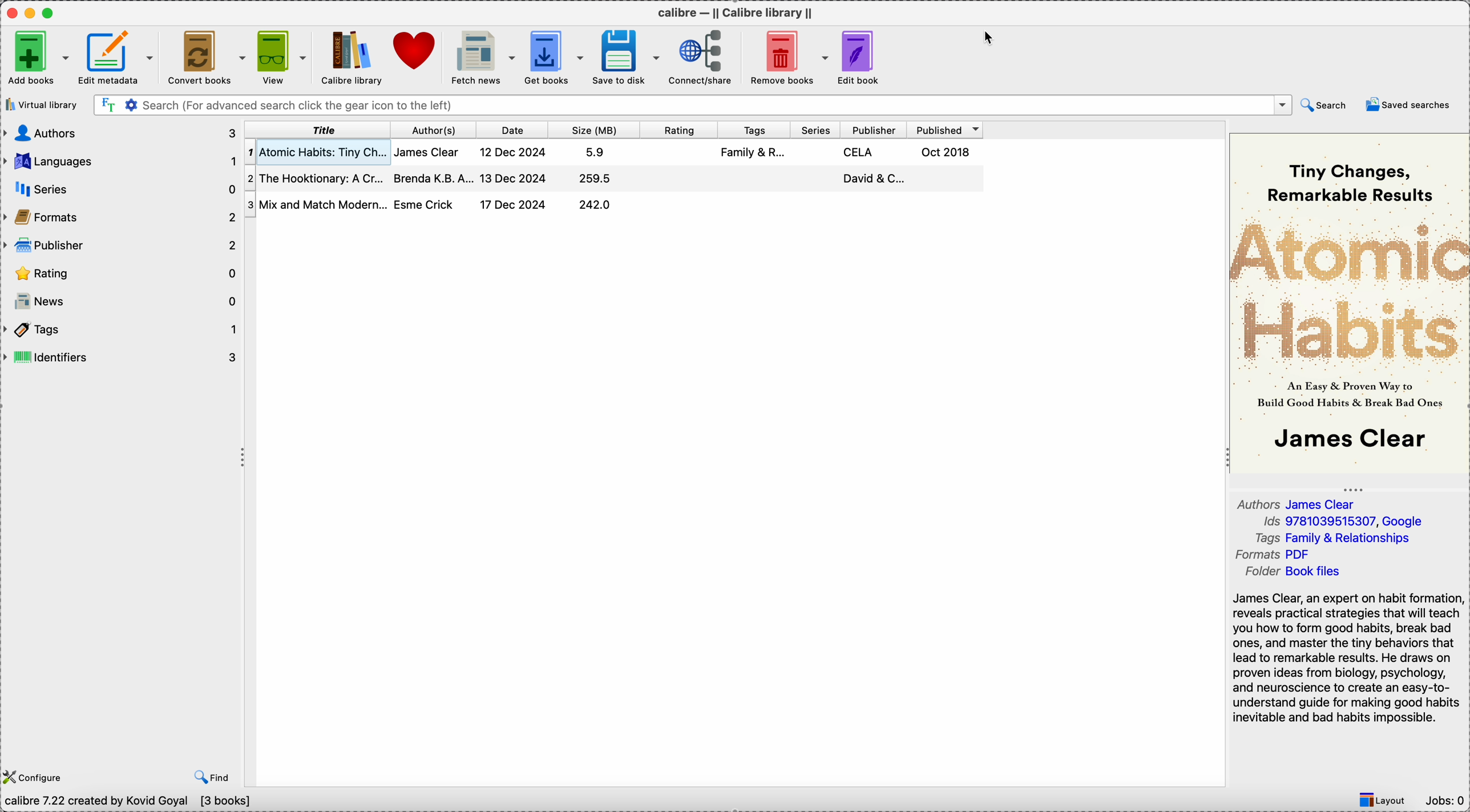 This screenshot has width=1470, height=812. I want to click on James Clear, so click(429, 152).